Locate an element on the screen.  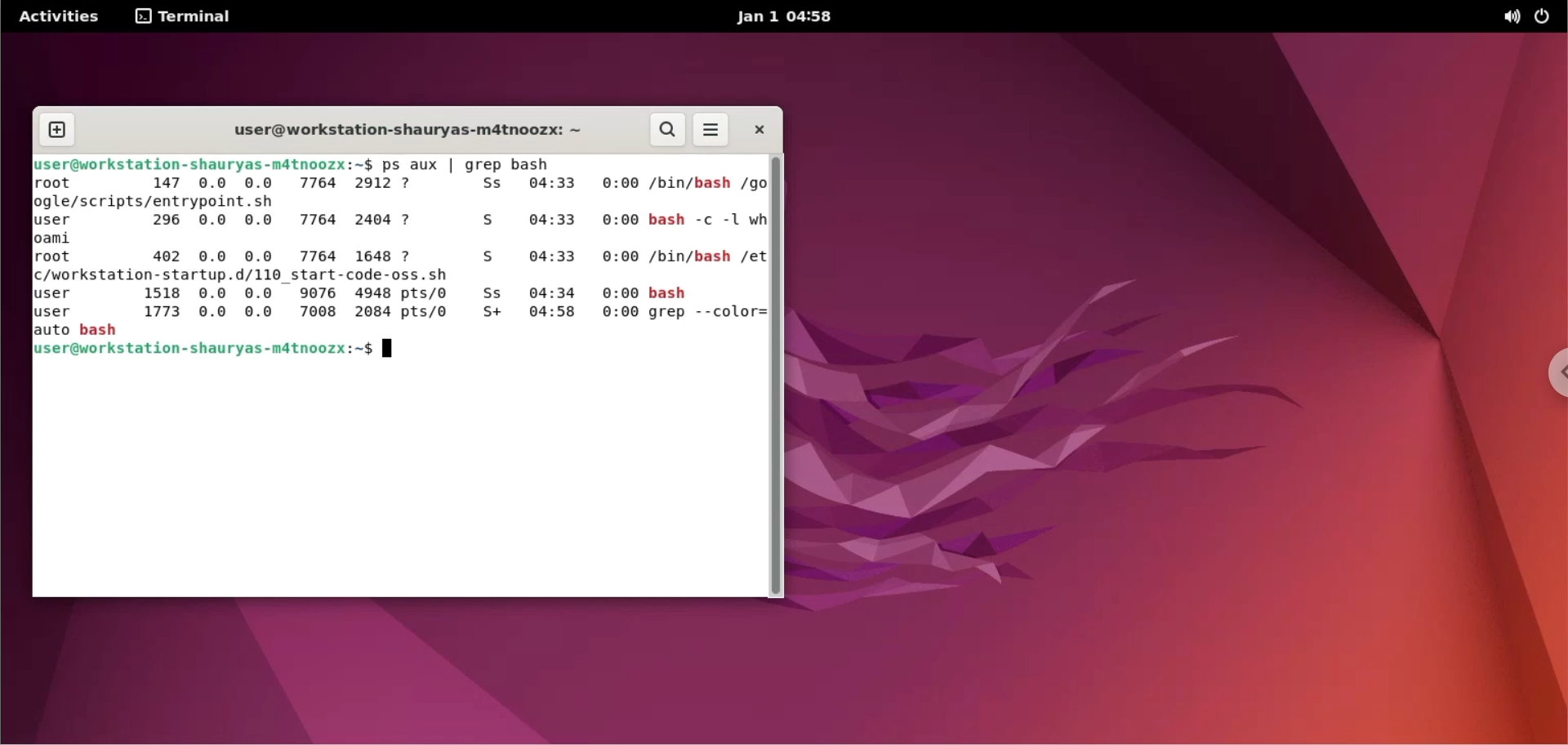
user 296 0.0 0.9 7764 2404 7 Ss 04:33 0:00 bash -c -1l whoamiroot 402 0.0 0.0 7764 1648 ? S 04:33 0:00 /bin/bash /etc/workstation-startup.d/110_start-code-oss.shuser 1518 0.6 0.0 9076 4948 pts/0 Ss 04:34 0:00 bashuser 1773 0.0 0.0 7008 2084 pts/e S+ 04:58 0:00 grep --color= auto bash is located at coordinates (387, 274).